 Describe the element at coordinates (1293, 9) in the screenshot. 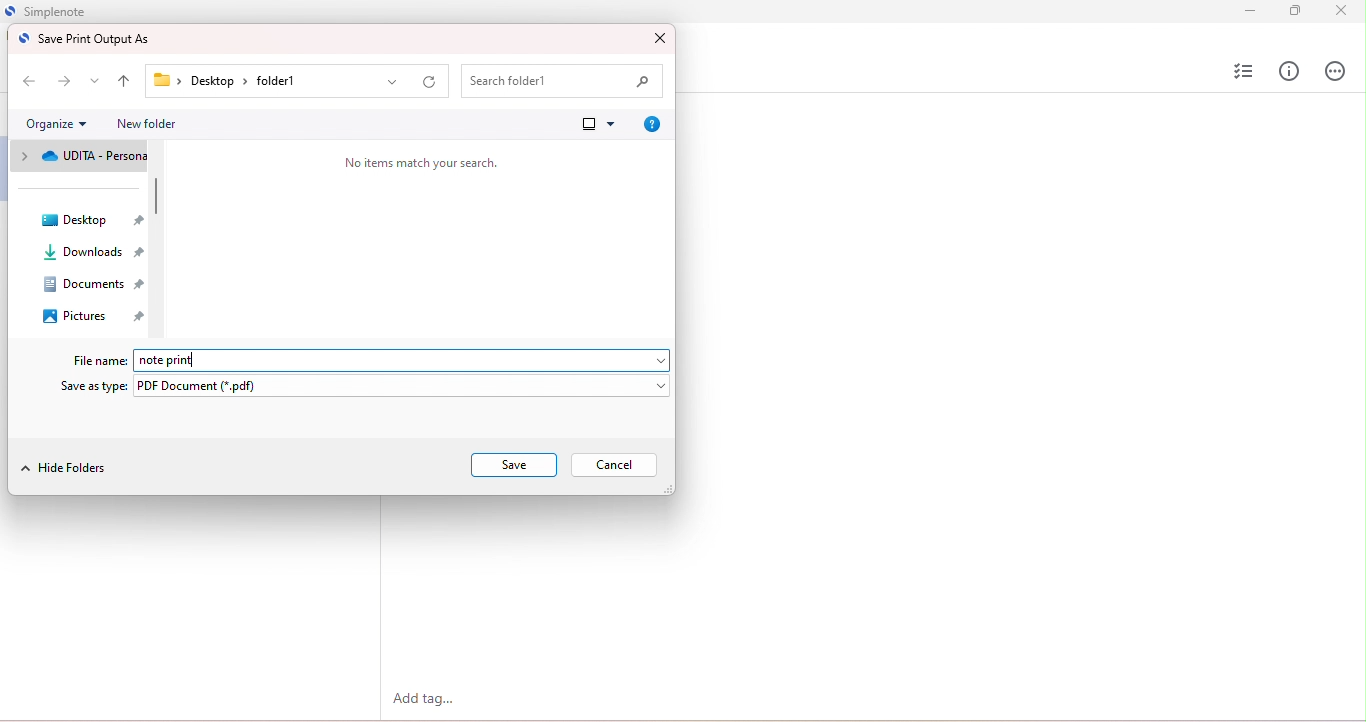

I see `maximize` at that location.